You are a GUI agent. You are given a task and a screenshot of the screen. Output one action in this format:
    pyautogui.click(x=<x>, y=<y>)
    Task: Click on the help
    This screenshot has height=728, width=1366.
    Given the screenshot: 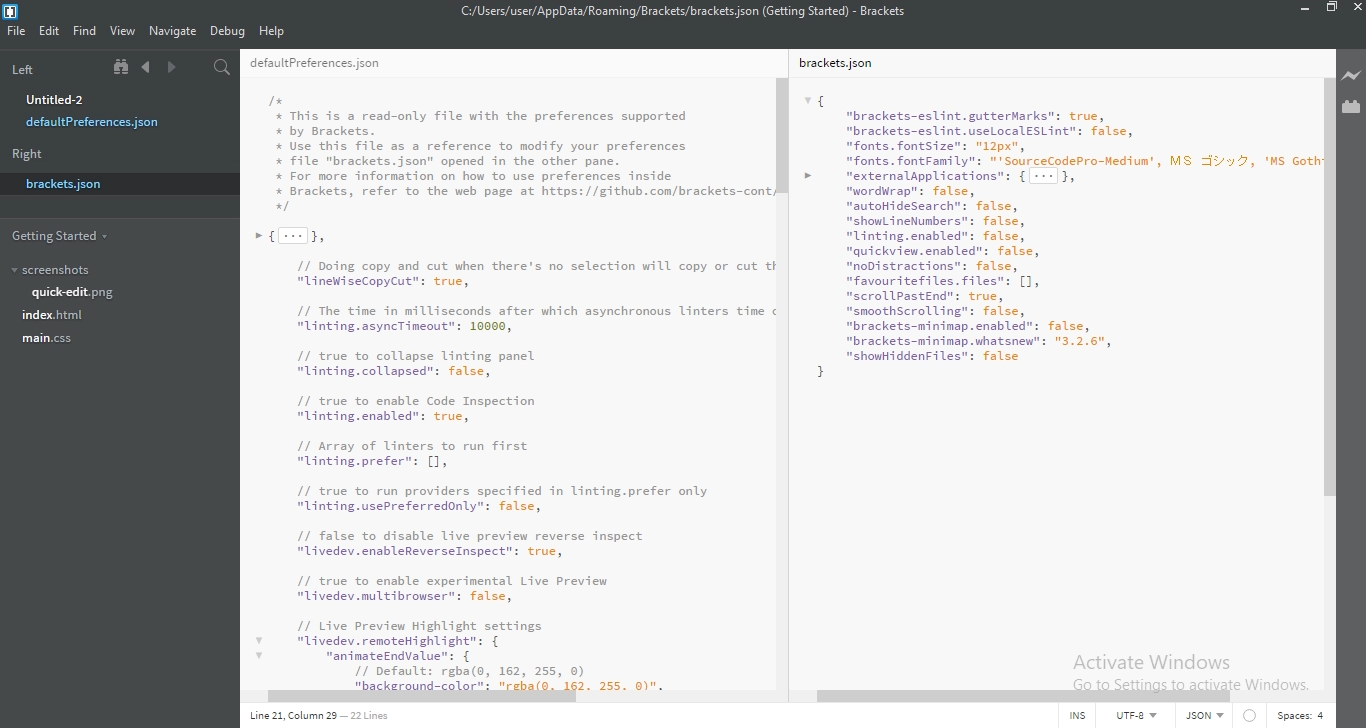 What is the action you would take?
    pyautogui.click(x=273, y=31)
    